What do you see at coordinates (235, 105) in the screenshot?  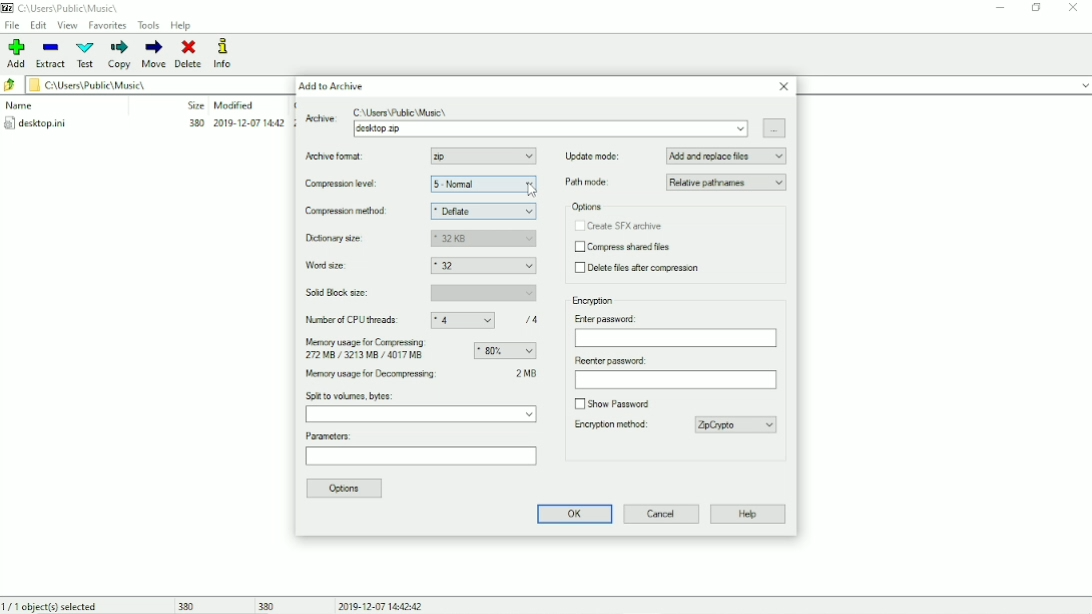 I see `Modified` at bounding box center [235, 105].